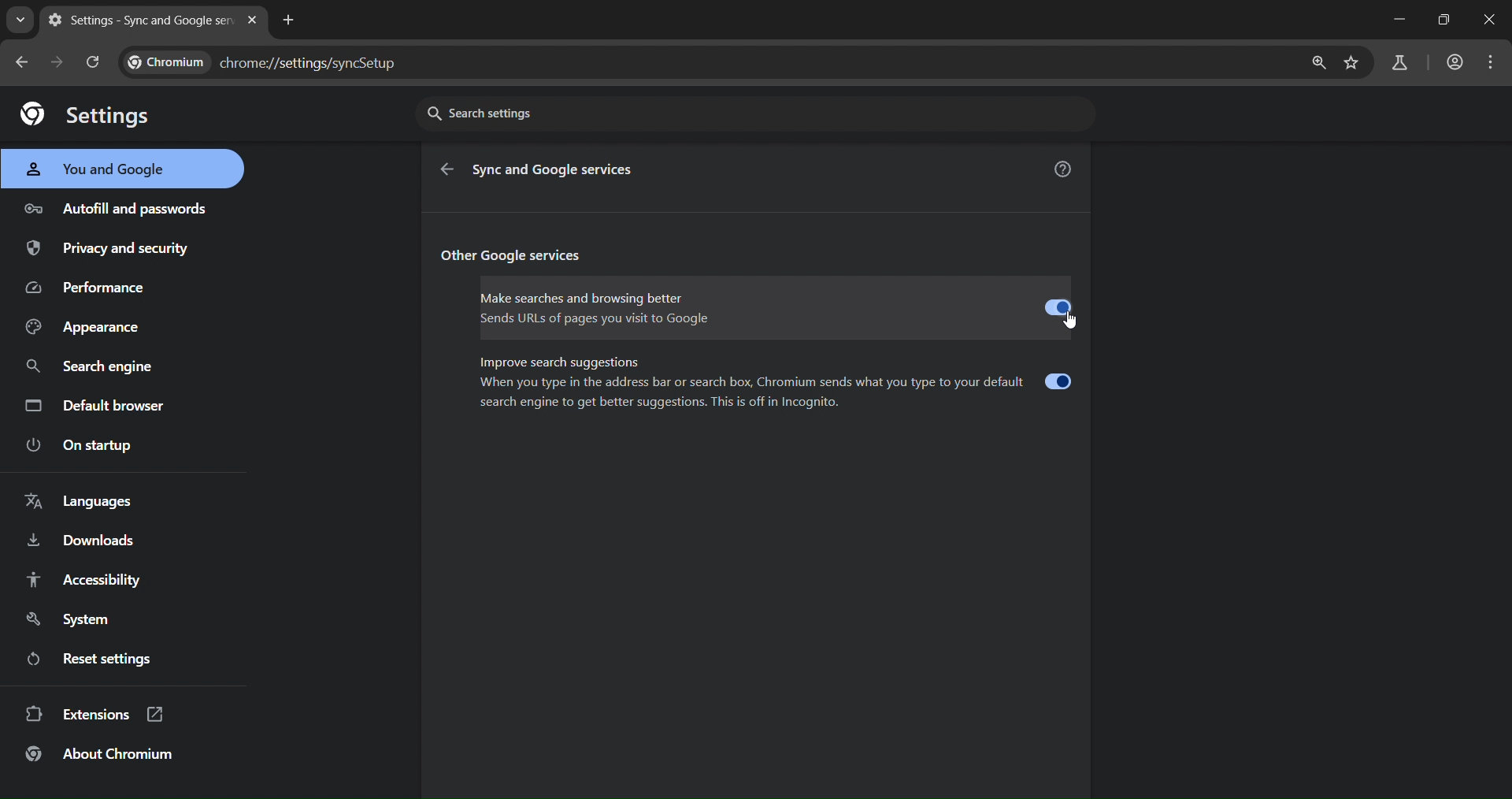  I want to click on reset settings, so click(101, 658).